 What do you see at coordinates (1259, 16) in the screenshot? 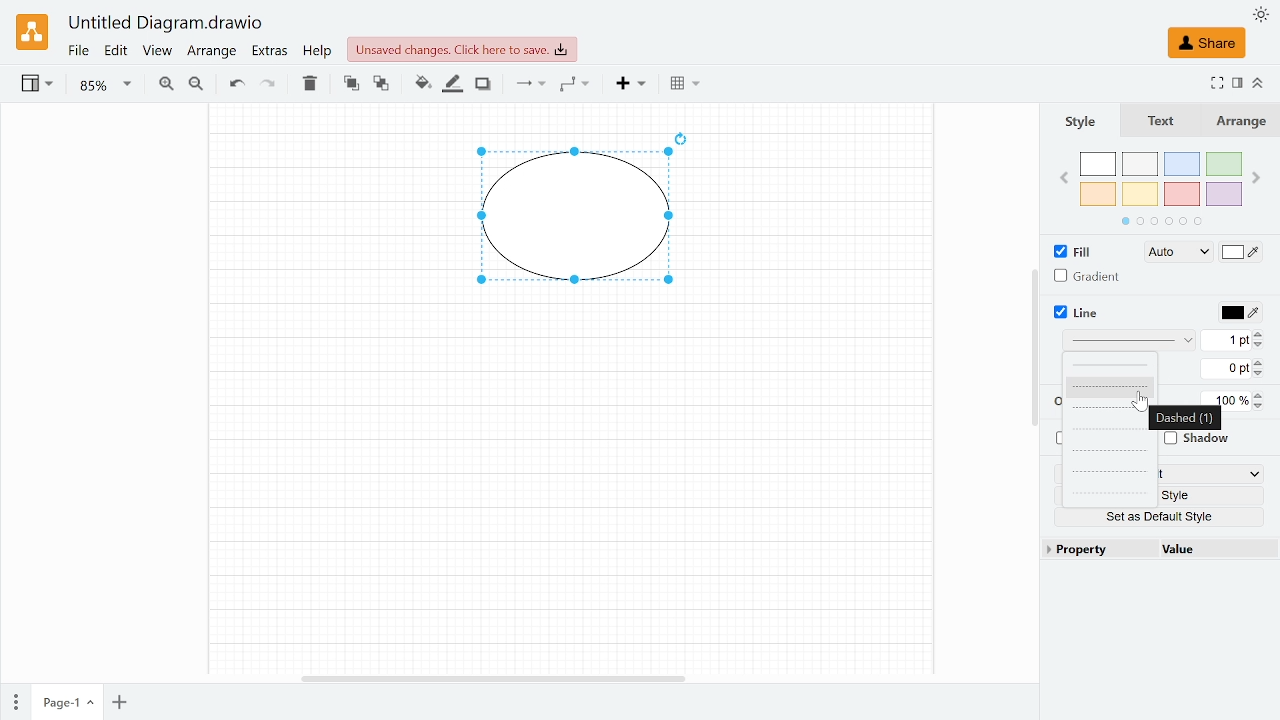
I see `Appearence` at bounding box center [1259, 16].